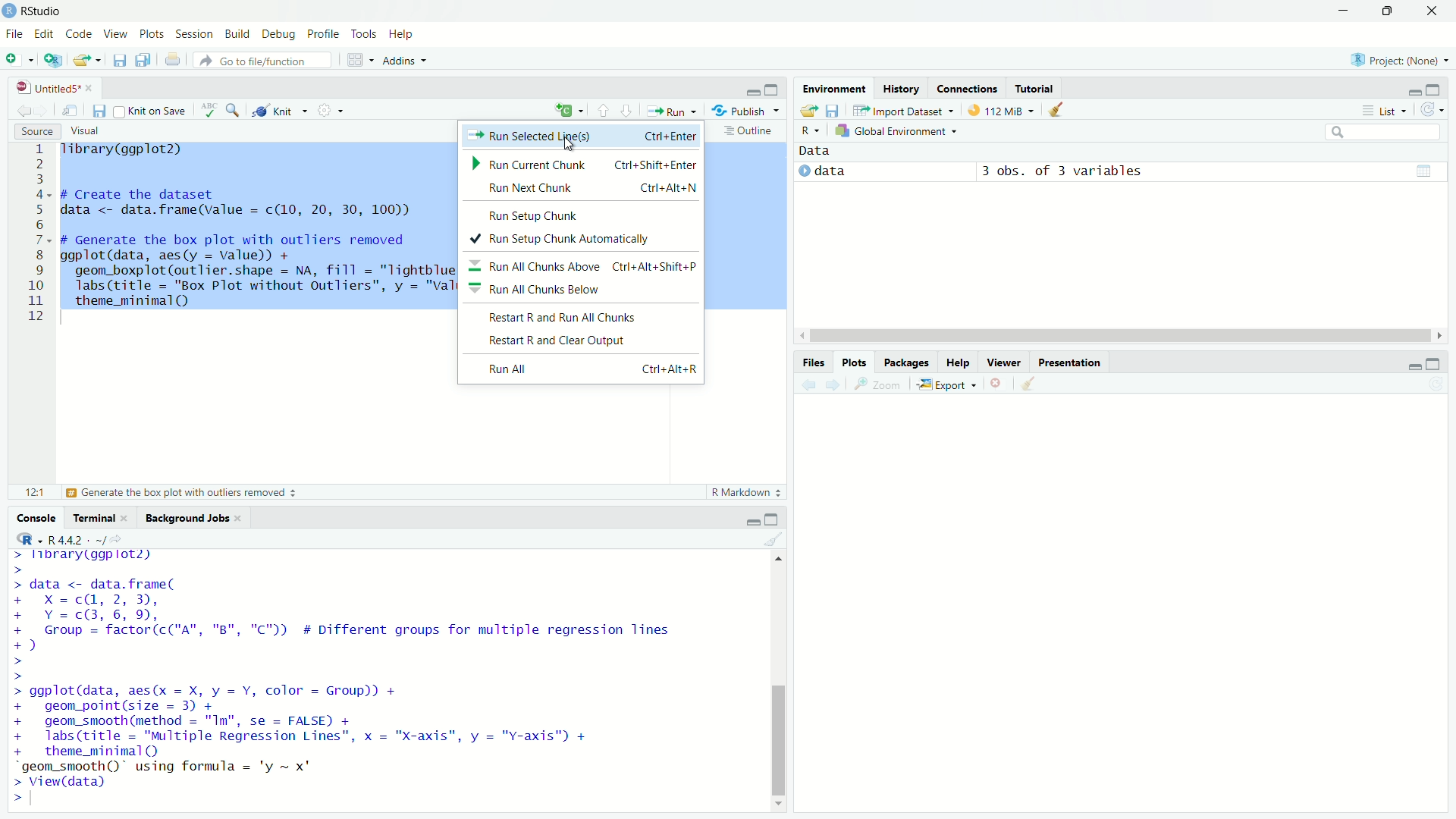 Image resolution: width=1456 pixels, height=819 pixels. What do you see at coordinates (1405, 90) in the screenshot?
I see `minimise` at bounding box center [1405, 90].